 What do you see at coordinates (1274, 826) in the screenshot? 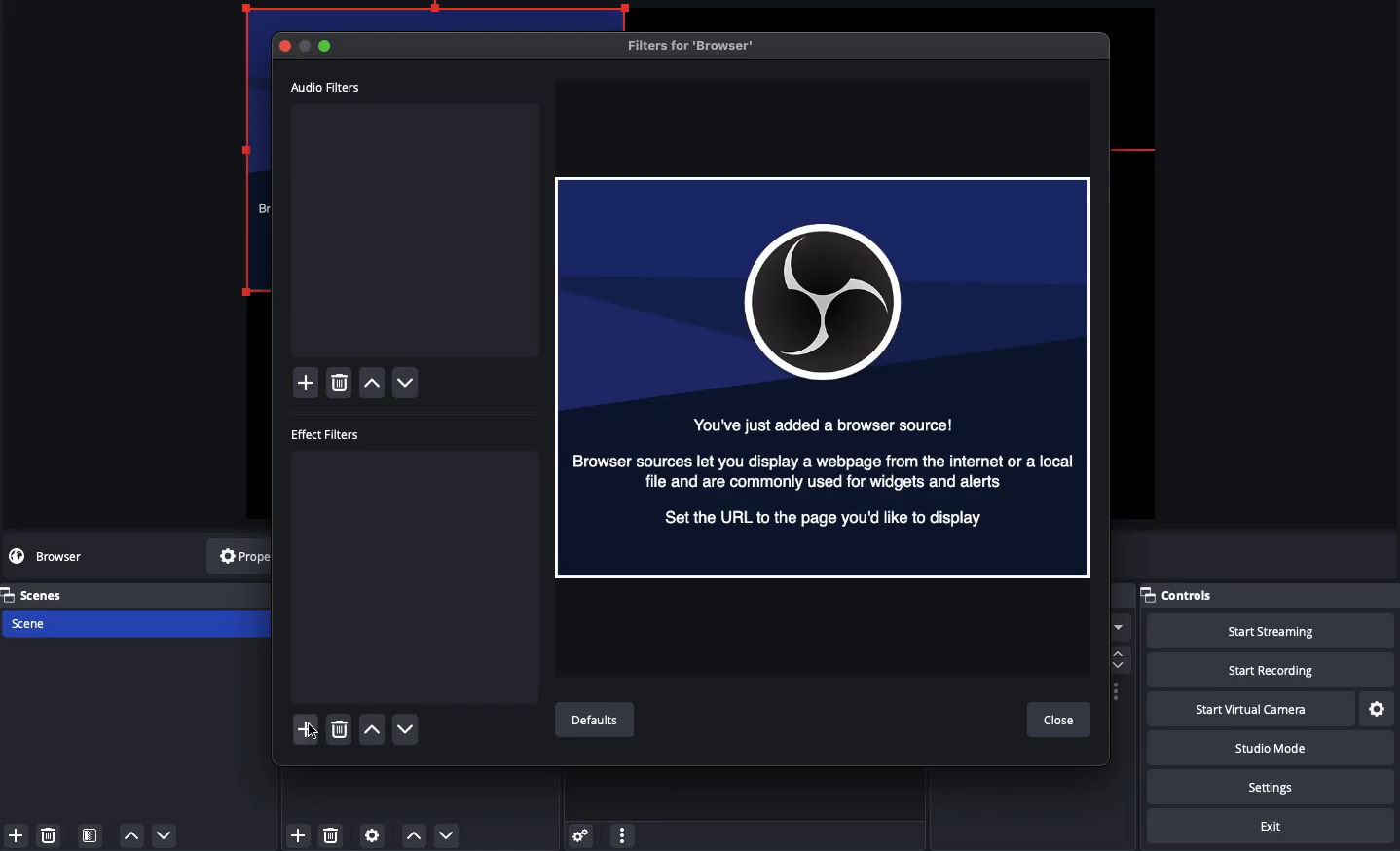
I see `Exit` at bounding box center [1274, 826].